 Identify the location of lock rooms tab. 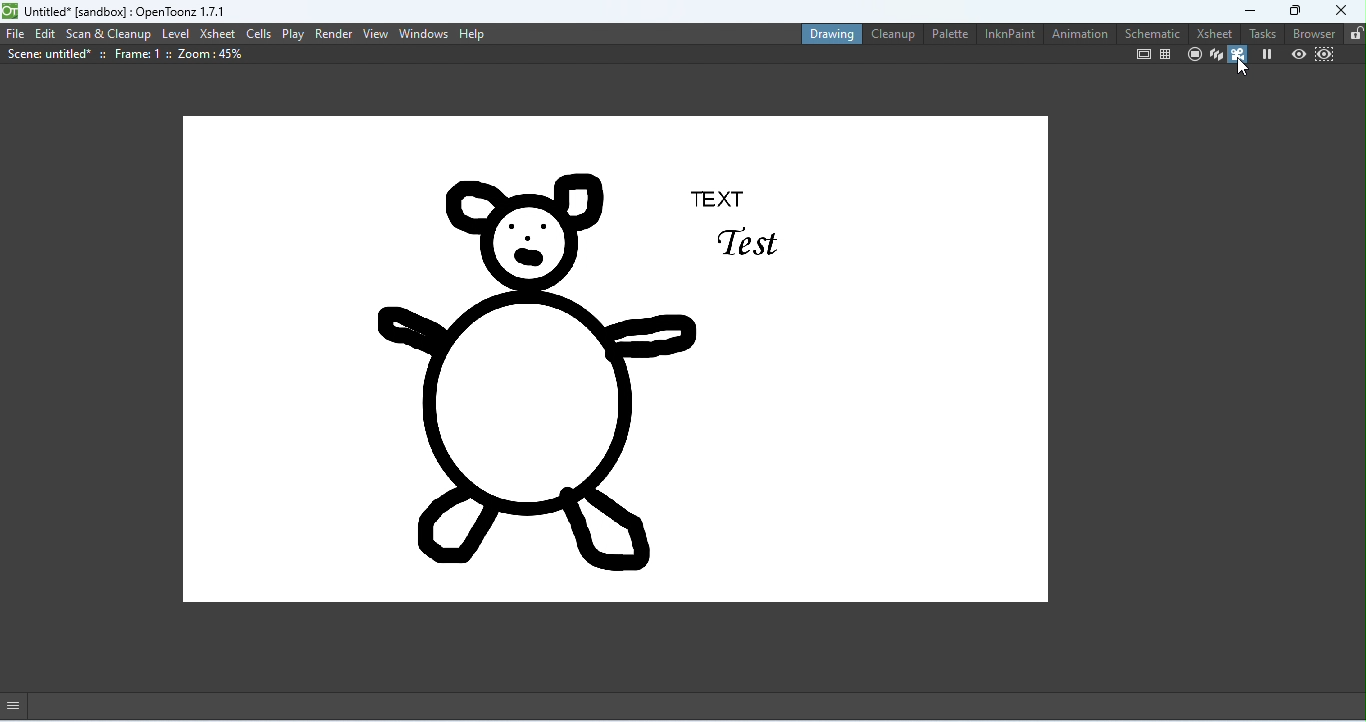
(1353, 33).